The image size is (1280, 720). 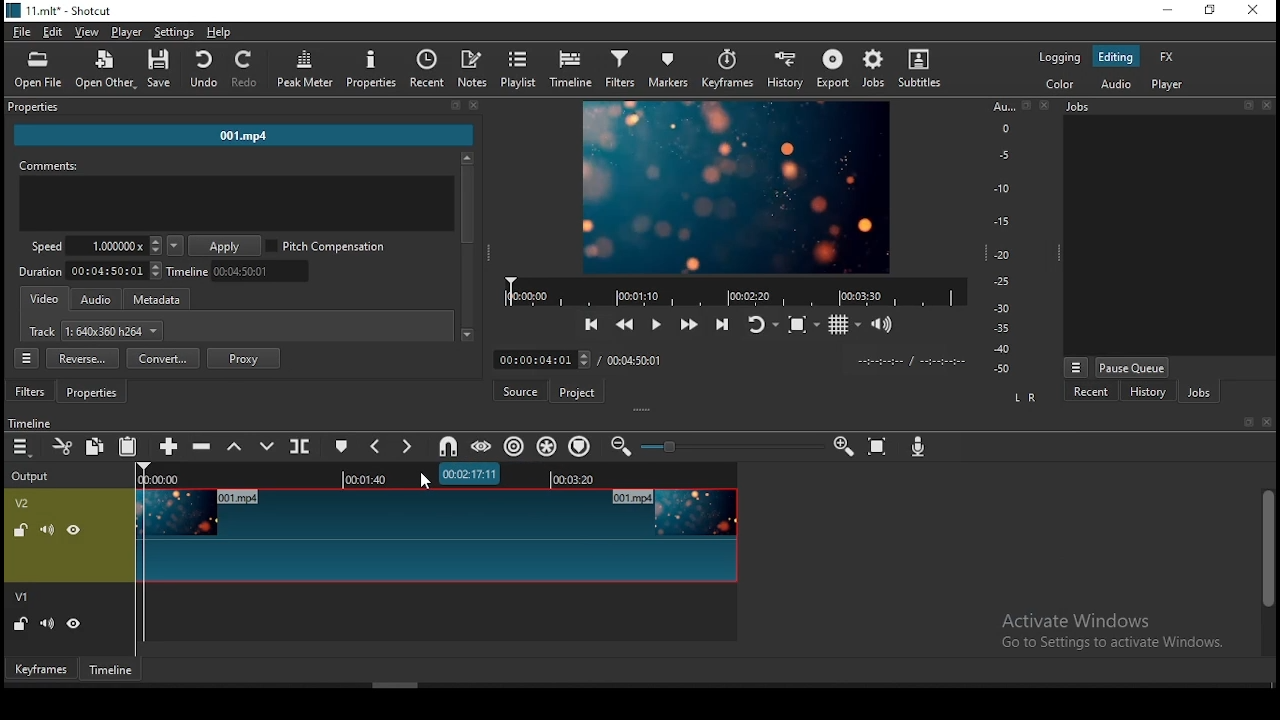 I want to click on 11.mlt* . Shotcut, so click(x=59, y=10).